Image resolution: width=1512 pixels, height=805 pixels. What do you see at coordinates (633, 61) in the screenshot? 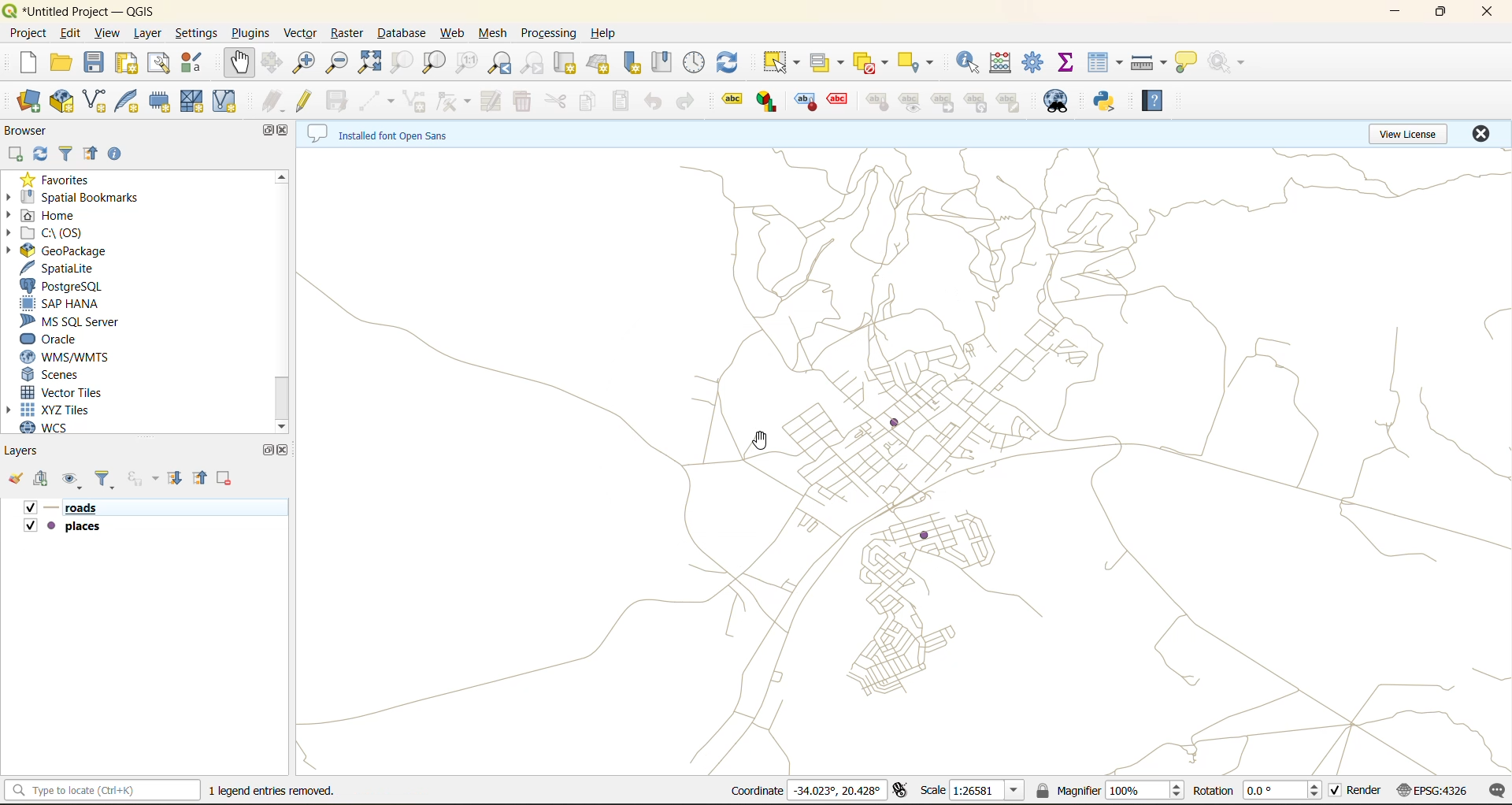
I see `new spatial bookmark` at bounding box center [633, 61].